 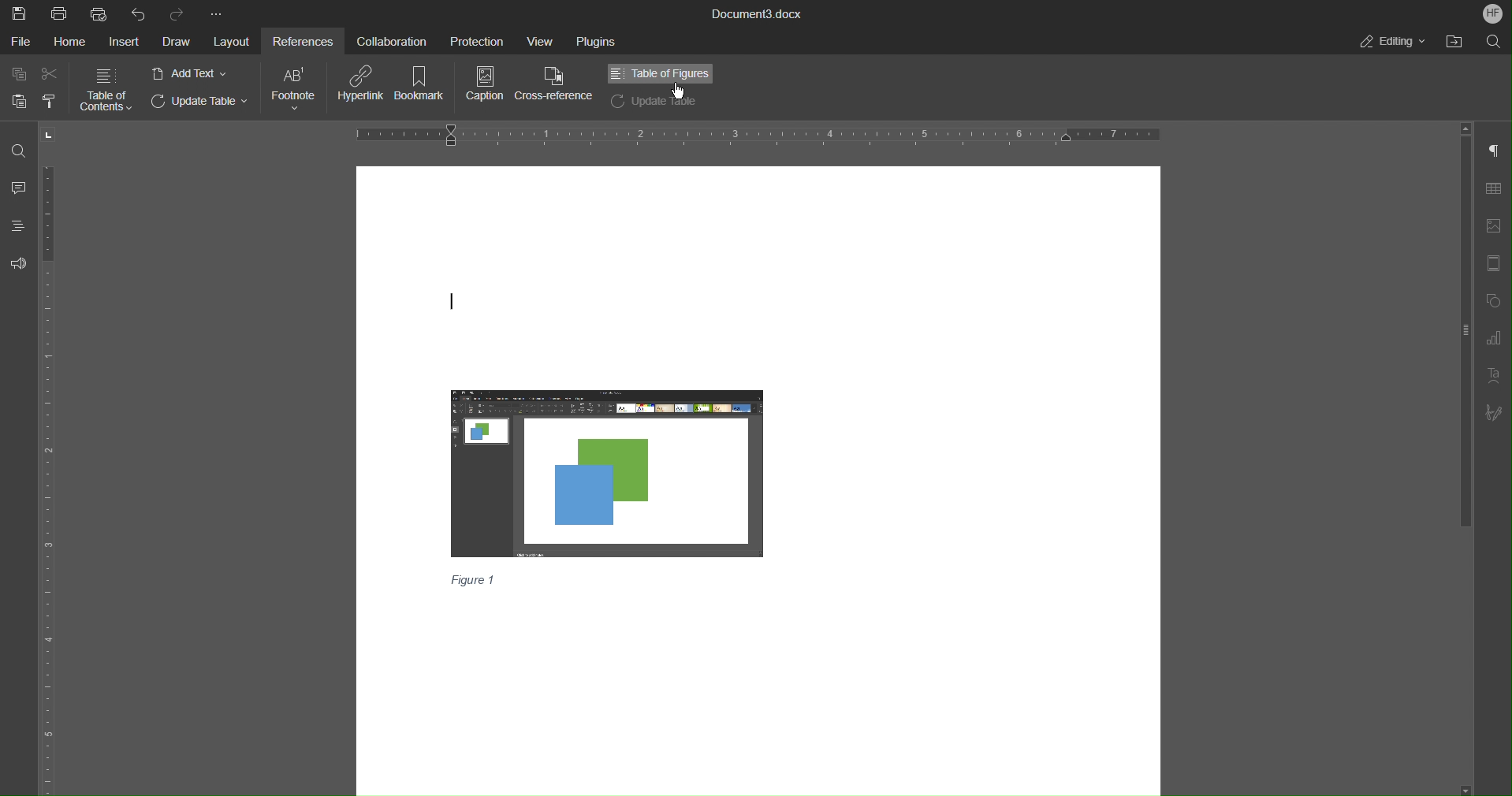 I want to click on Footnote, so click(x=295, y=88).